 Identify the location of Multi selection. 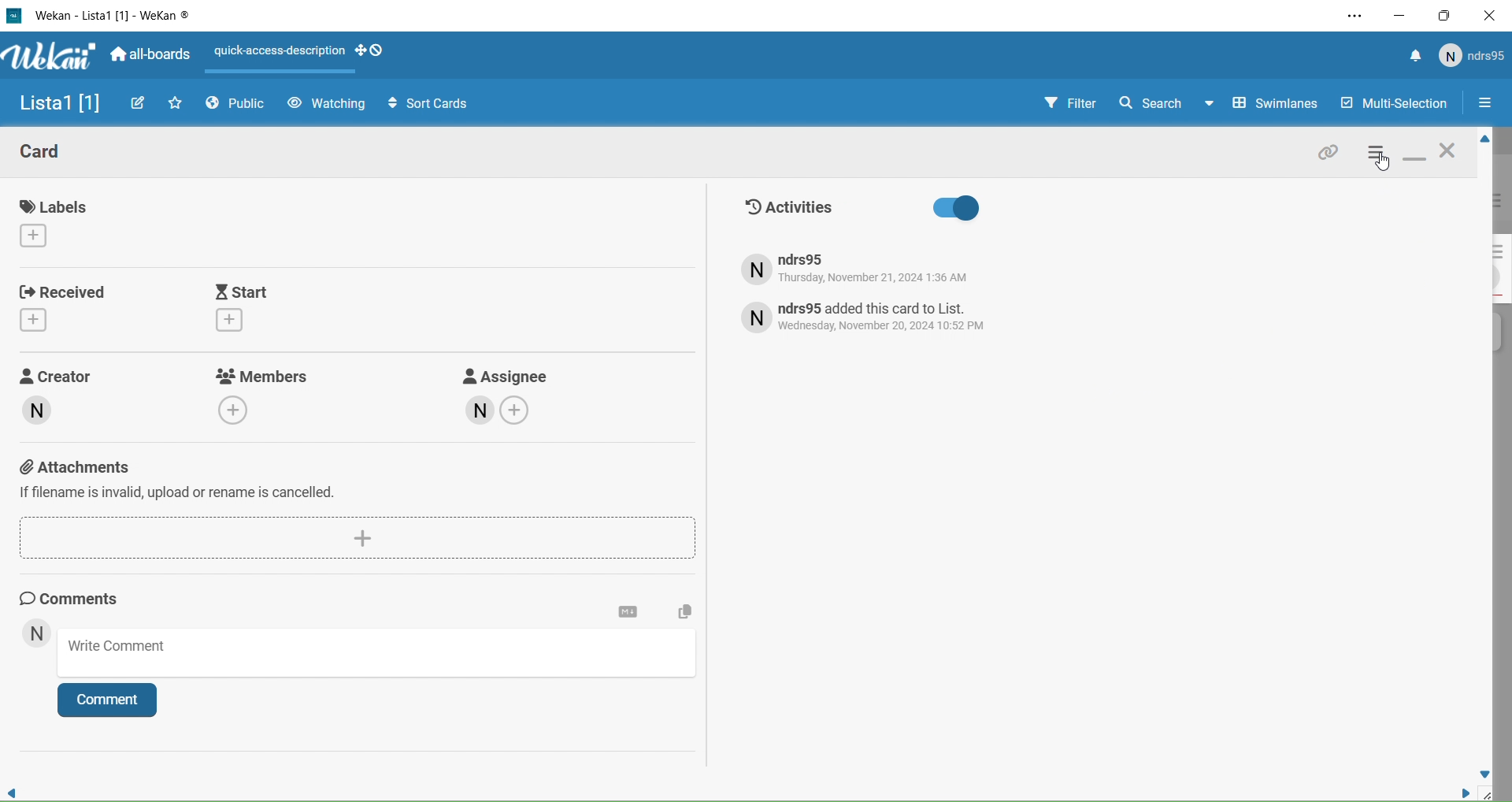
(1396, 106).